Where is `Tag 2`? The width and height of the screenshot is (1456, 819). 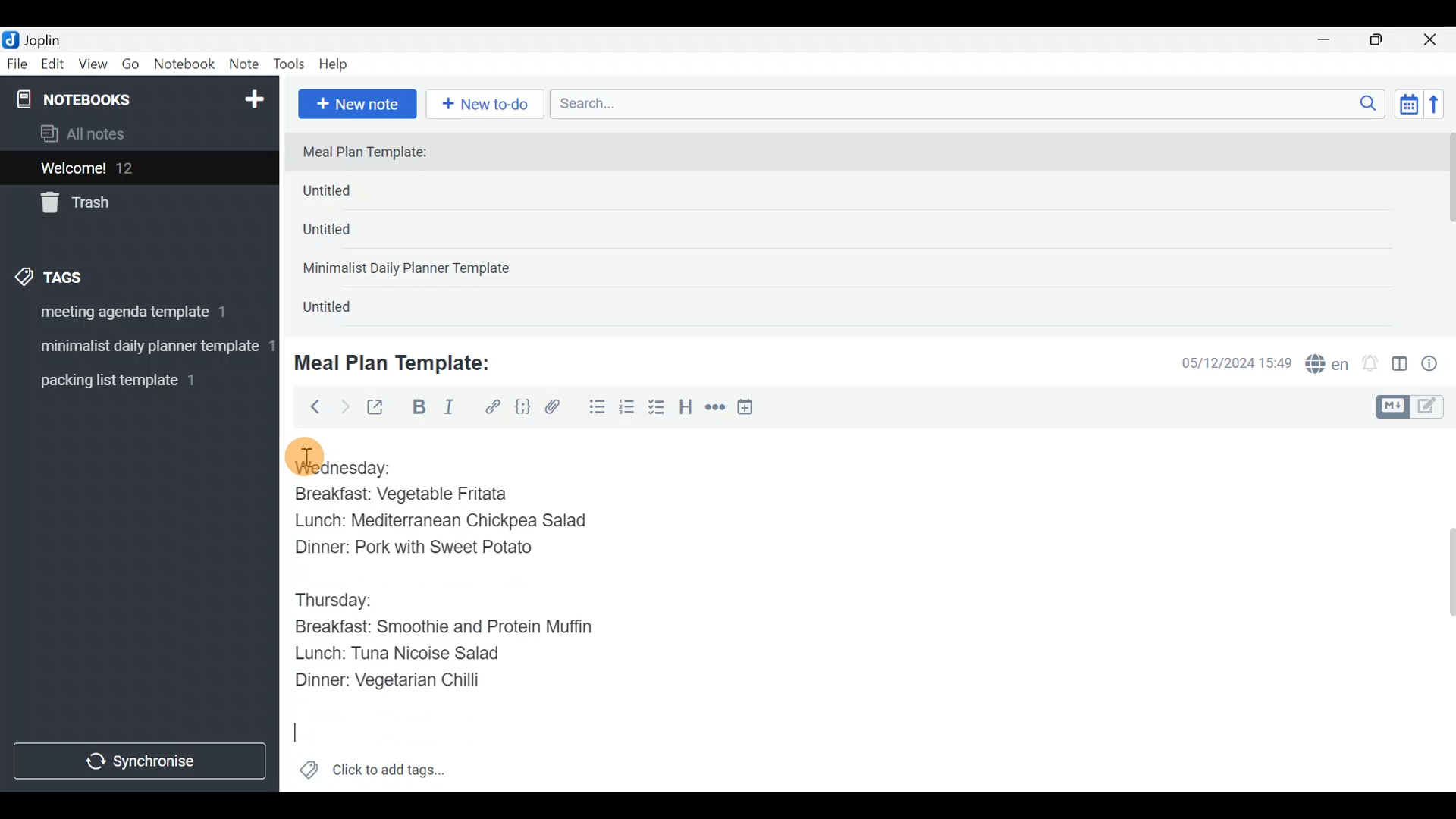 Tag 2 is located at coordinates (139, 348).